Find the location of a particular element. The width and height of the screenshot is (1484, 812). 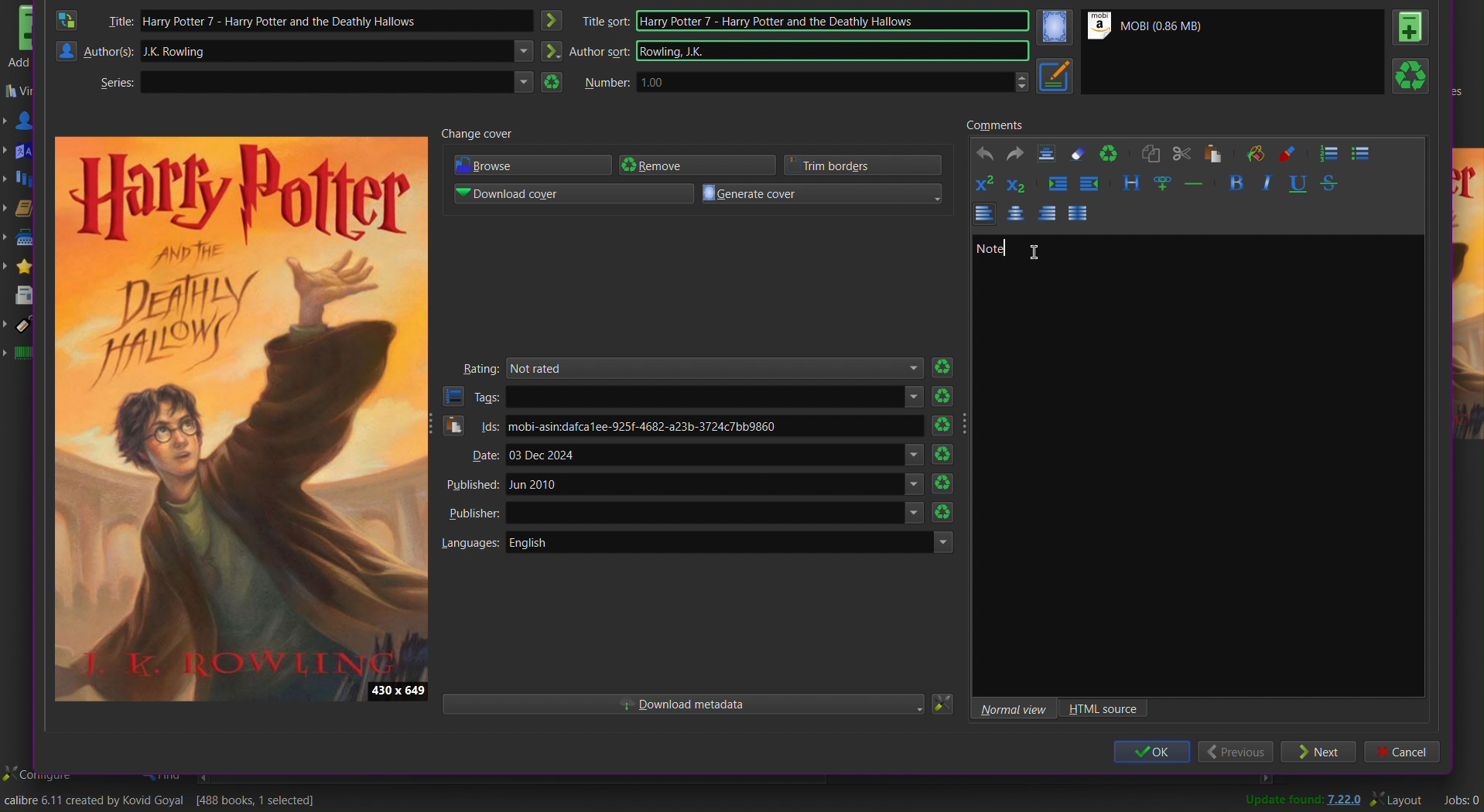

Number  is located at coordinates (607, 83).